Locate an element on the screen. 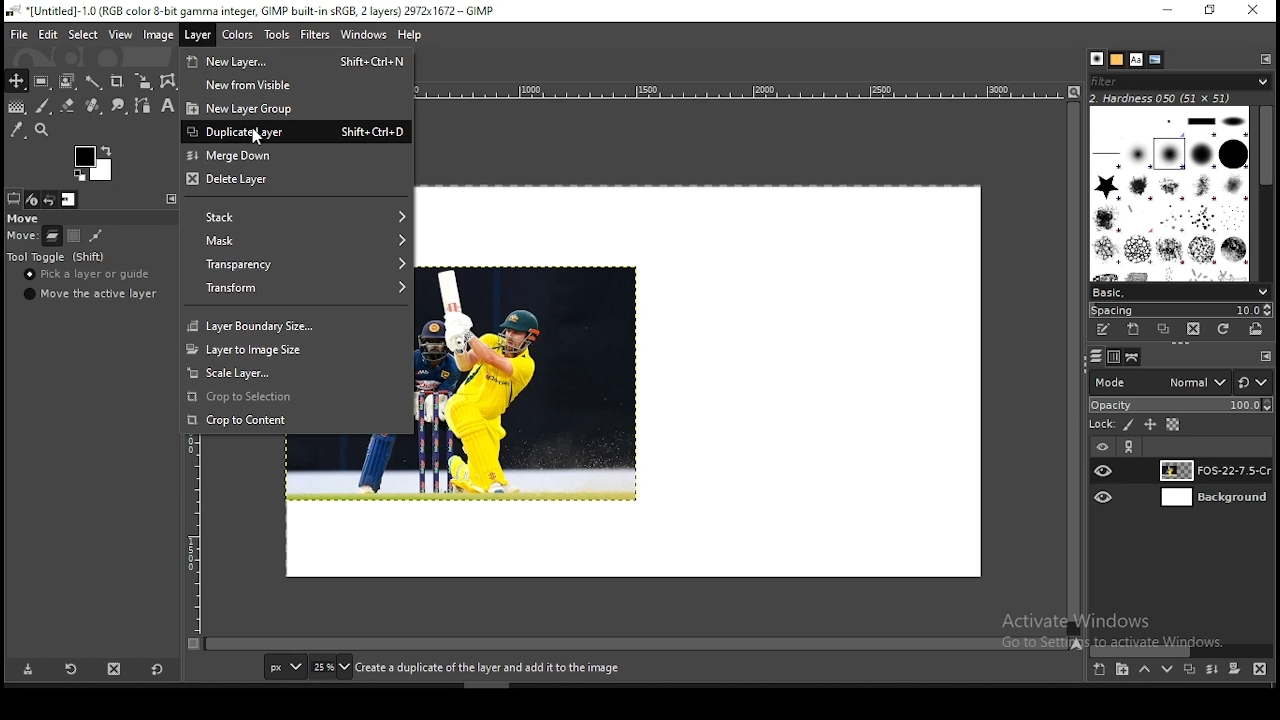 The image size is (1280, 720). brushes filter is located at coordinates (1180, 80).